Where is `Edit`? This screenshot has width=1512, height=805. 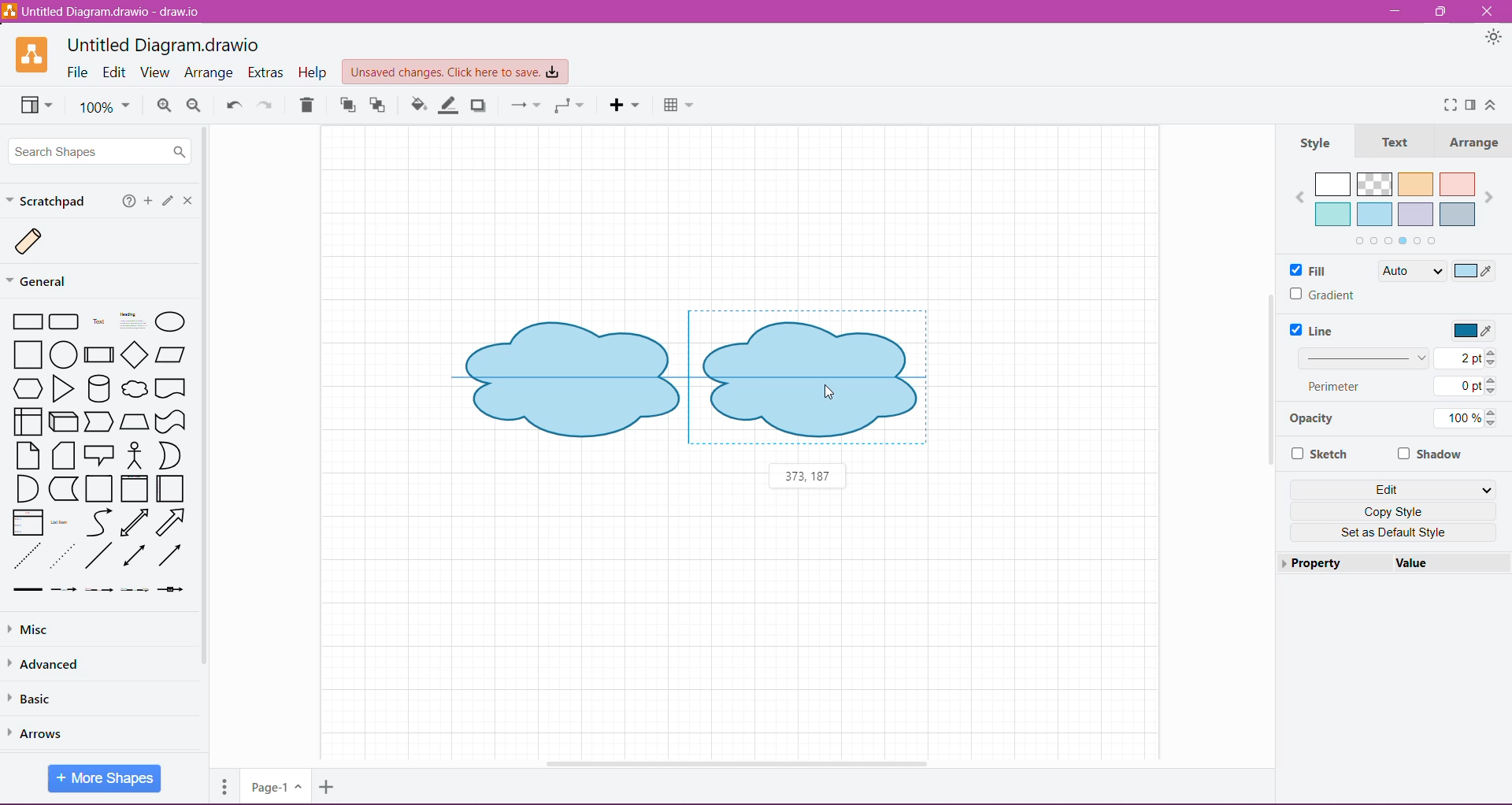 Edit is located at coordinates (116, 72).